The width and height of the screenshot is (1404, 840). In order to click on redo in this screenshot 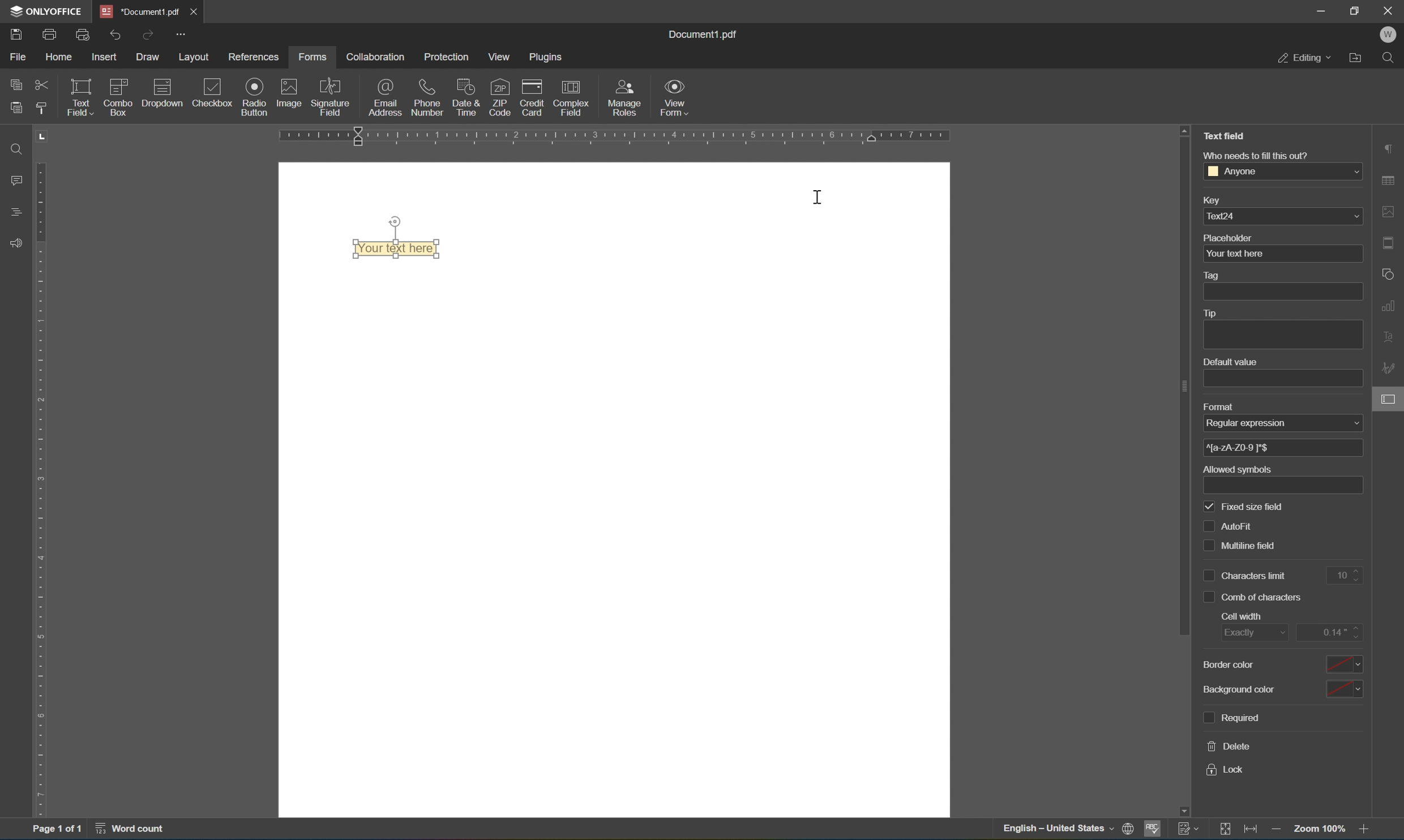, I will do `click(150, 35)`.